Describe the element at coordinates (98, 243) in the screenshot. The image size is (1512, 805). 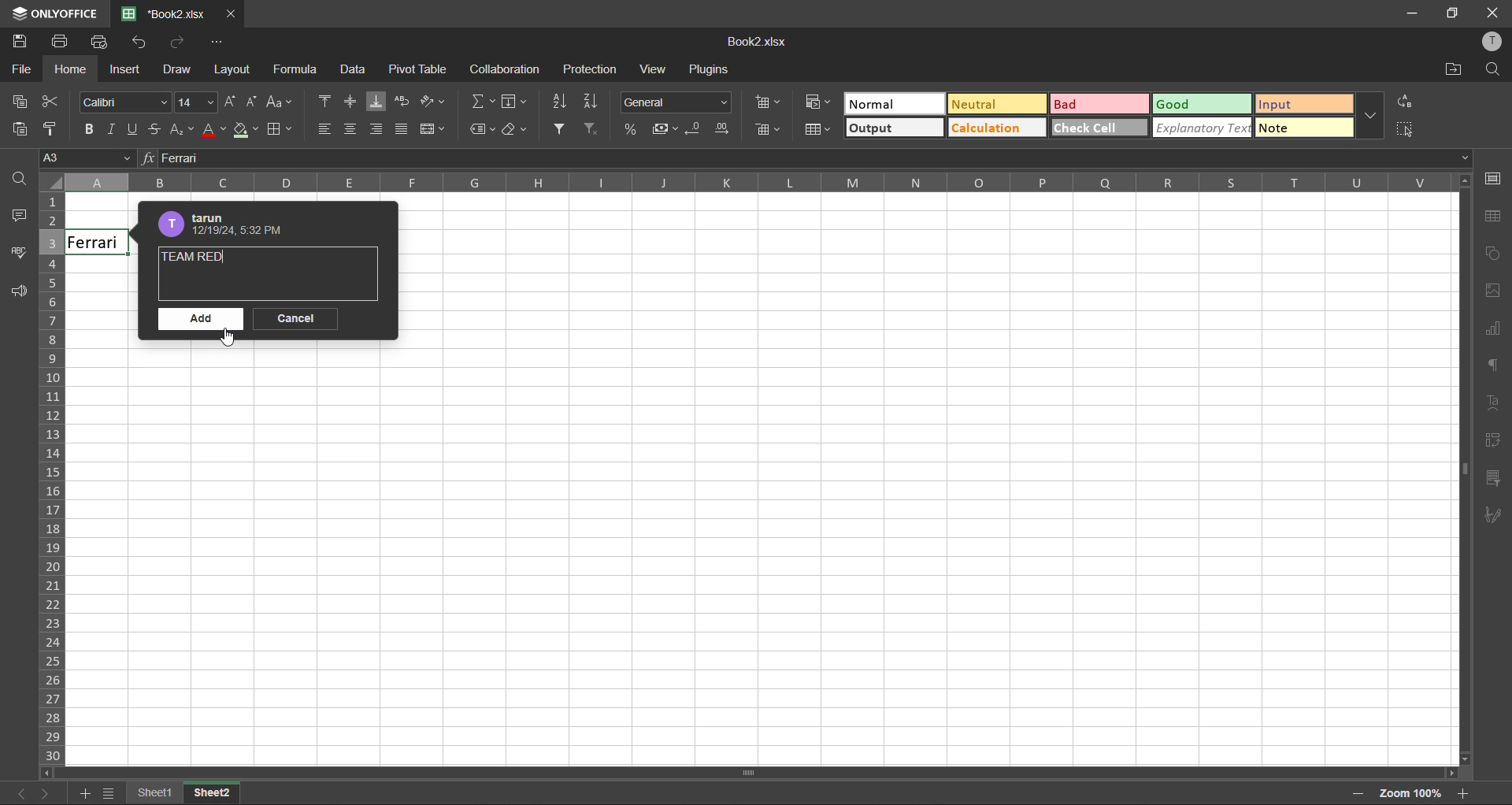
I see `Ferrari` at that location.